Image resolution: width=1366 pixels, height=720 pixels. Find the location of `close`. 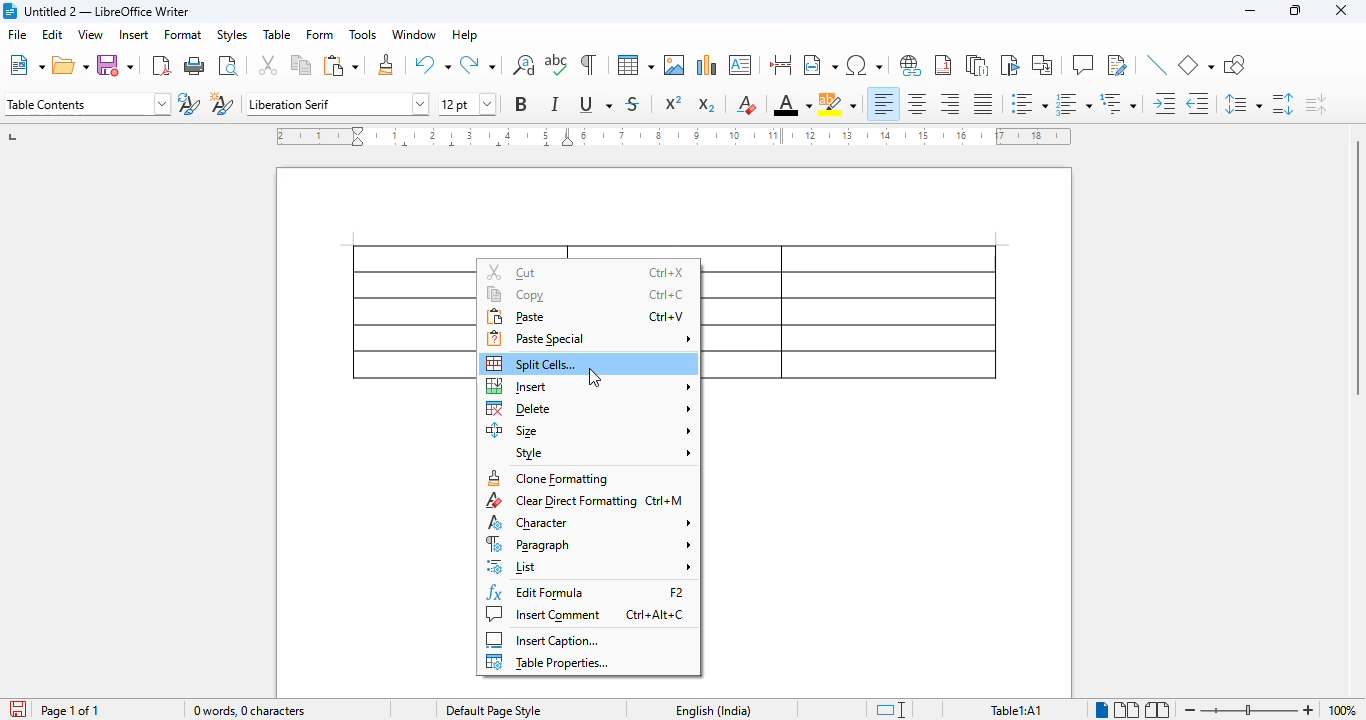

close is located at coordinates (1342, 11).